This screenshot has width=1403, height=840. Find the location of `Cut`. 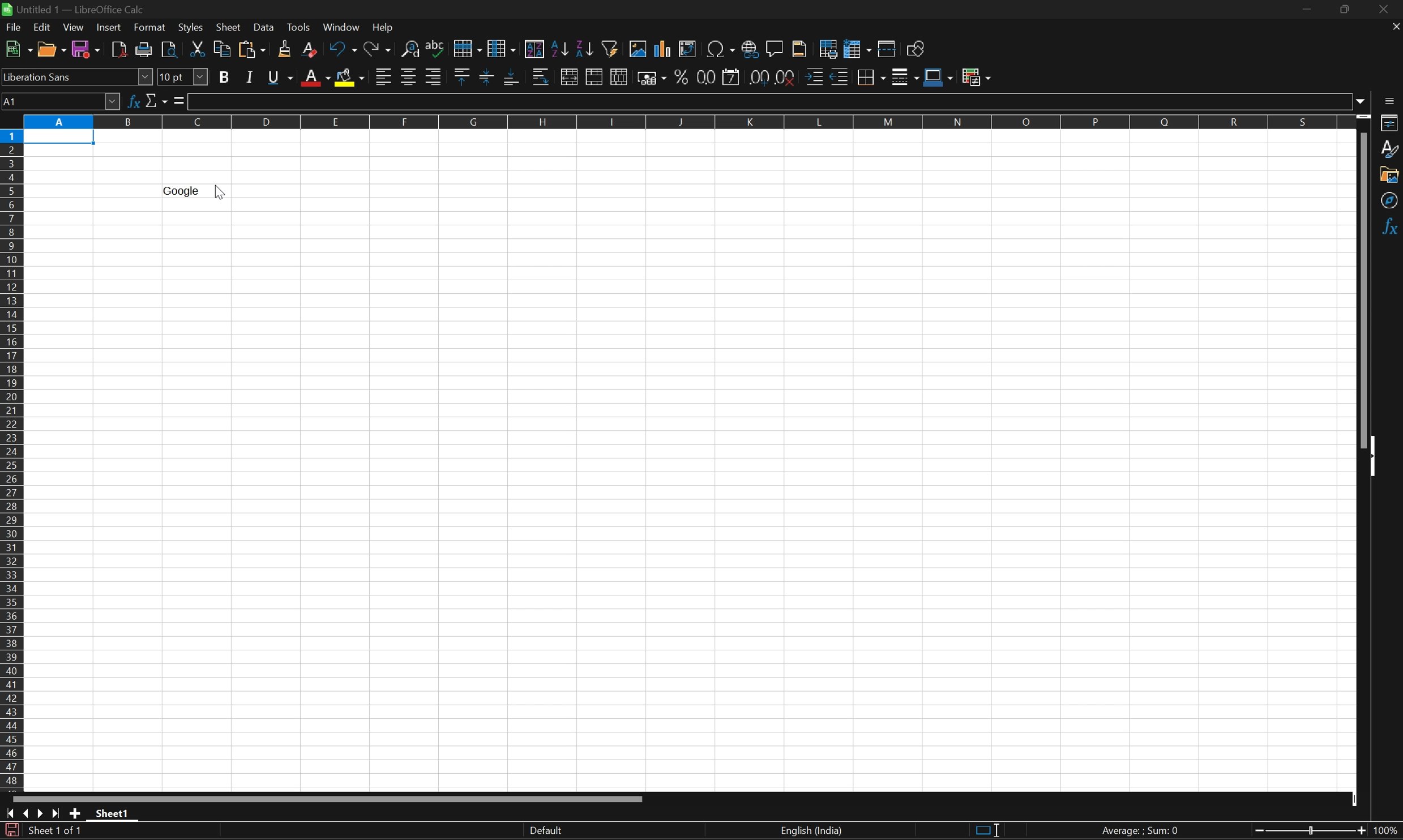

Cut is located at coordinates (199, 48).